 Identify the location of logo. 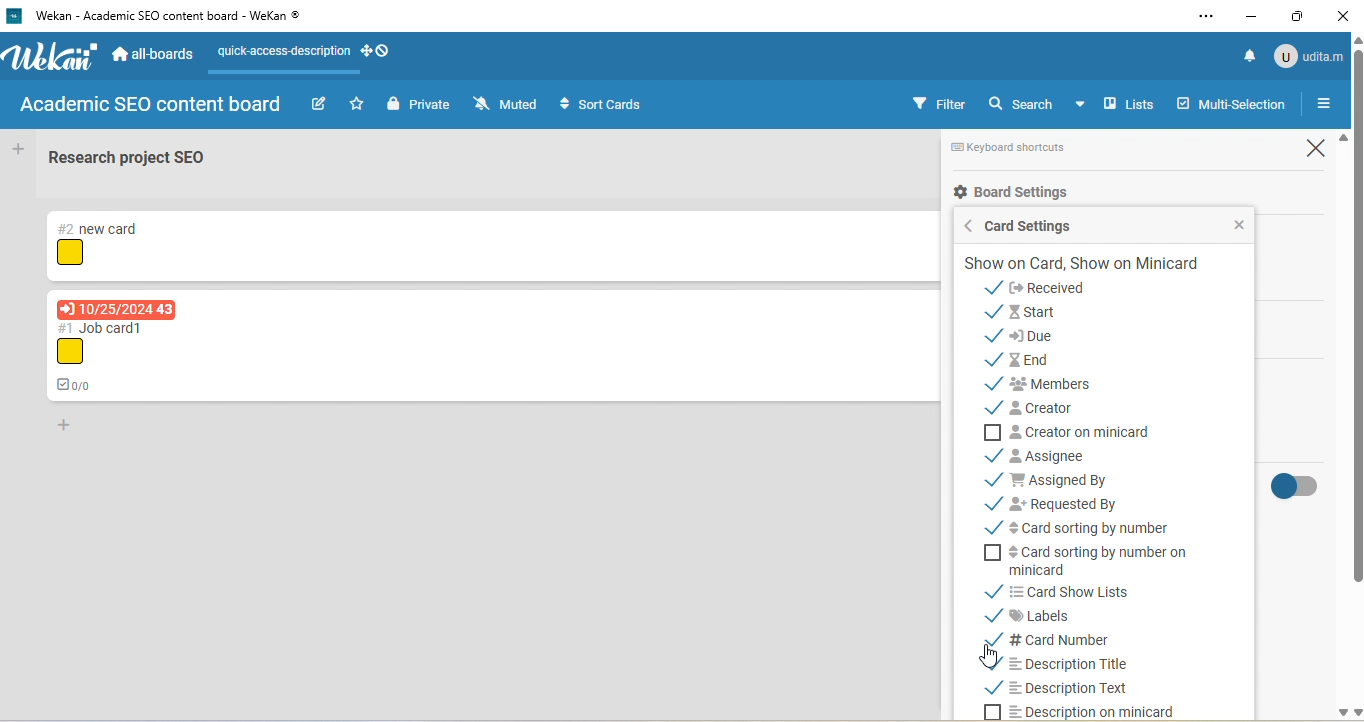
(55, 57).